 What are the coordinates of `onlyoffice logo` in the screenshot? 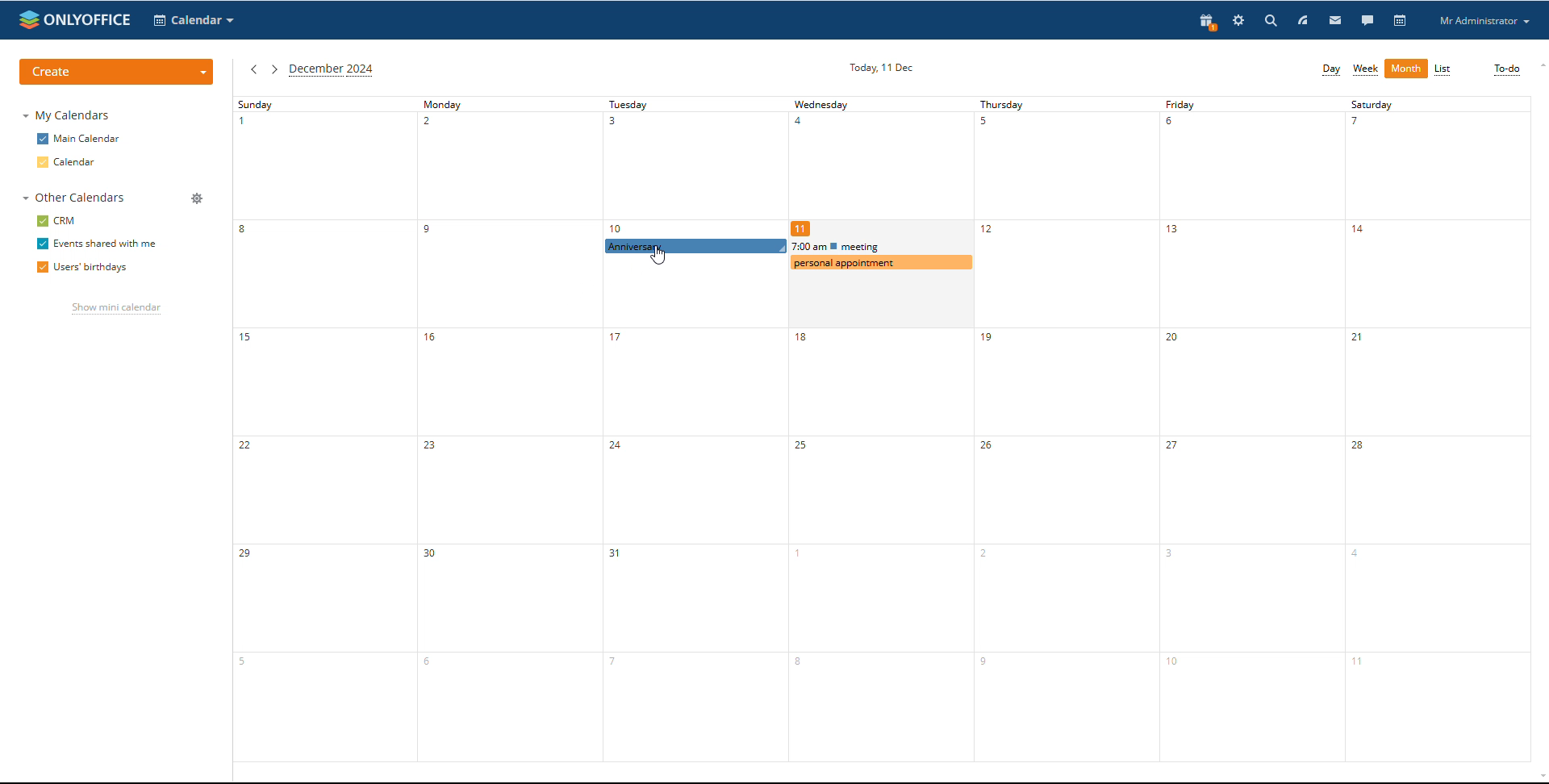 It's located at (25, 19).